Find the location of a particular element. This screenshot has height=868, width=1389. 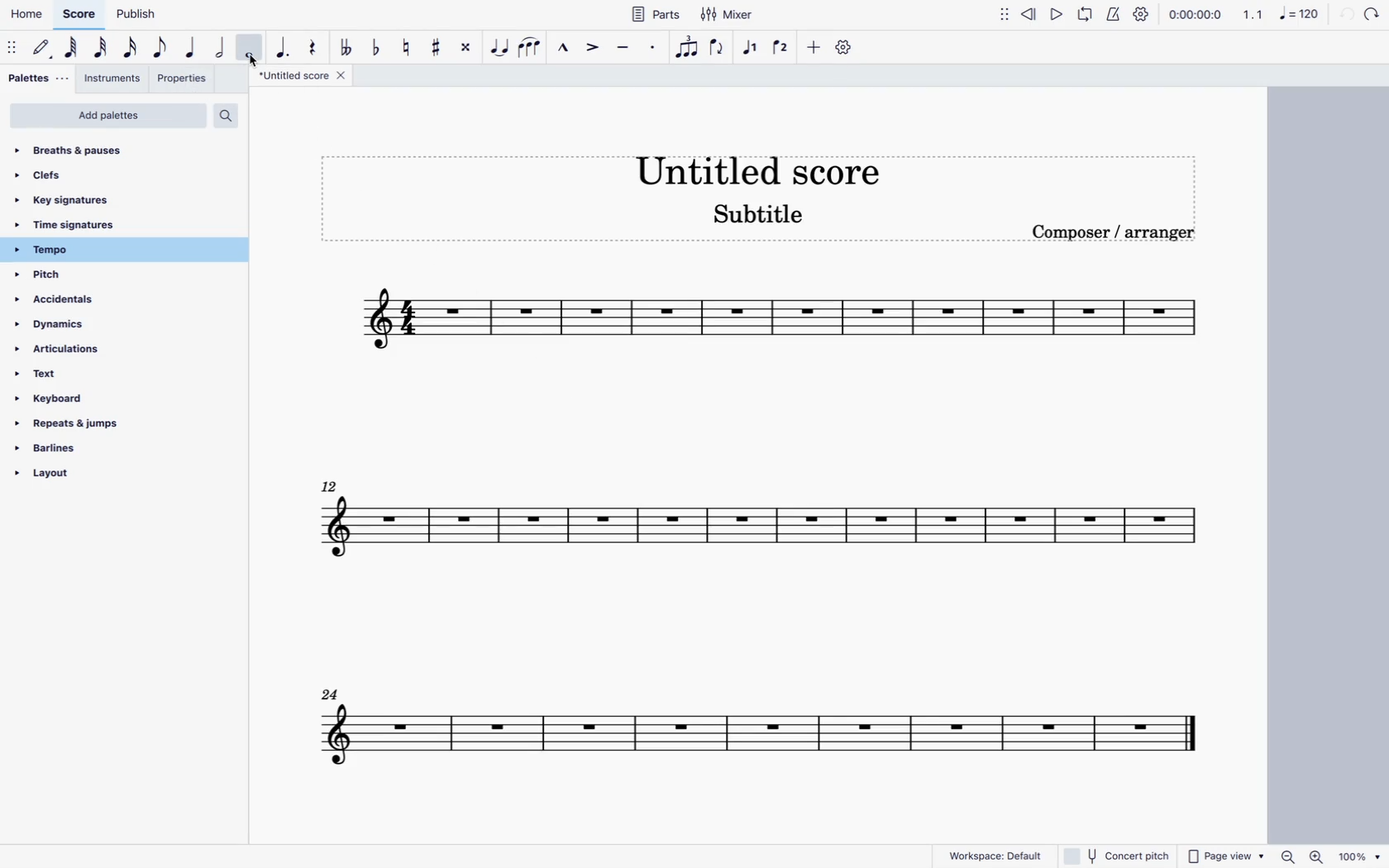

repeats & jumps is located at coordinates (80, 427).